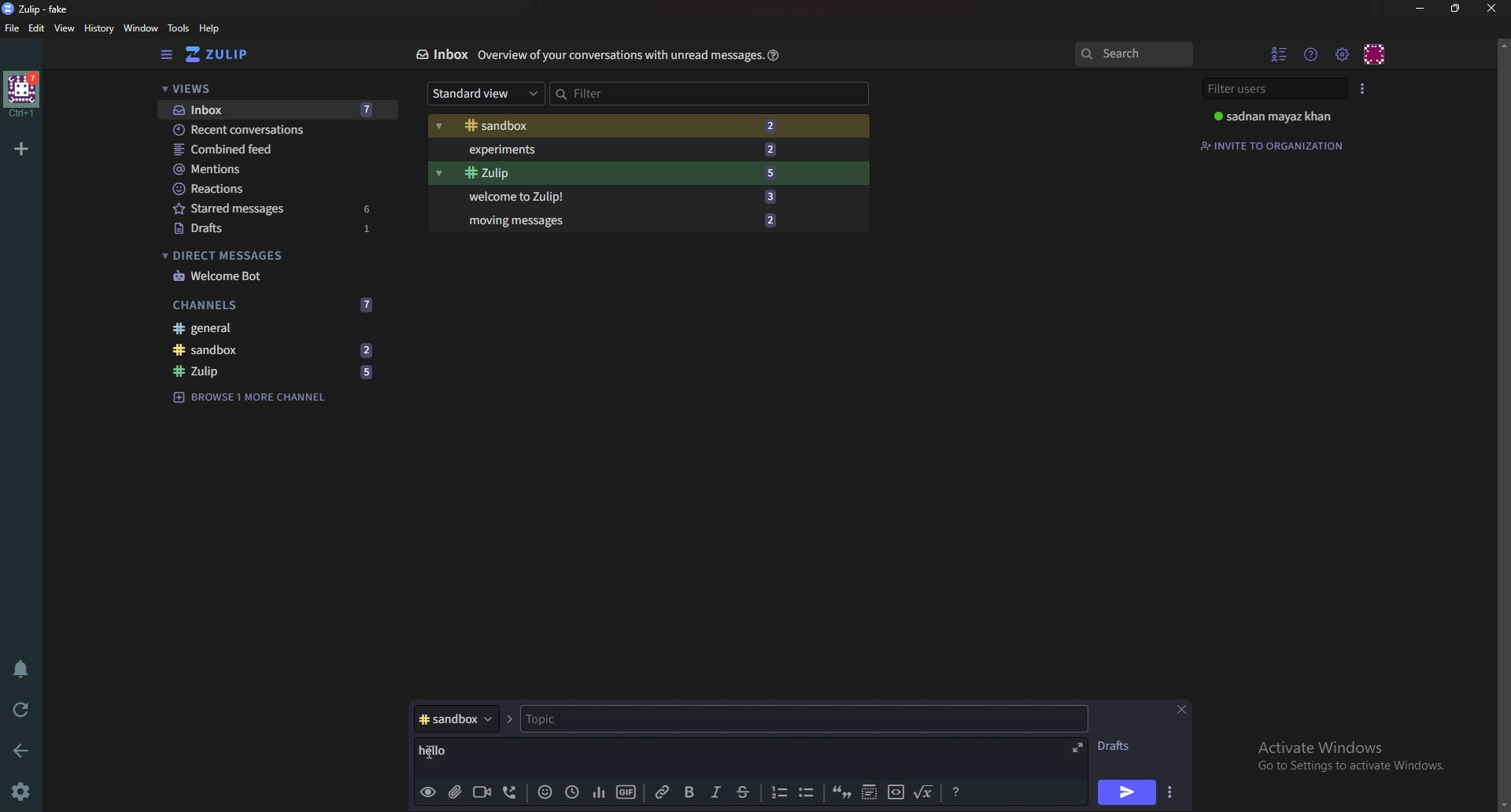  I want to click on Hide user list, so click(1280, 53).